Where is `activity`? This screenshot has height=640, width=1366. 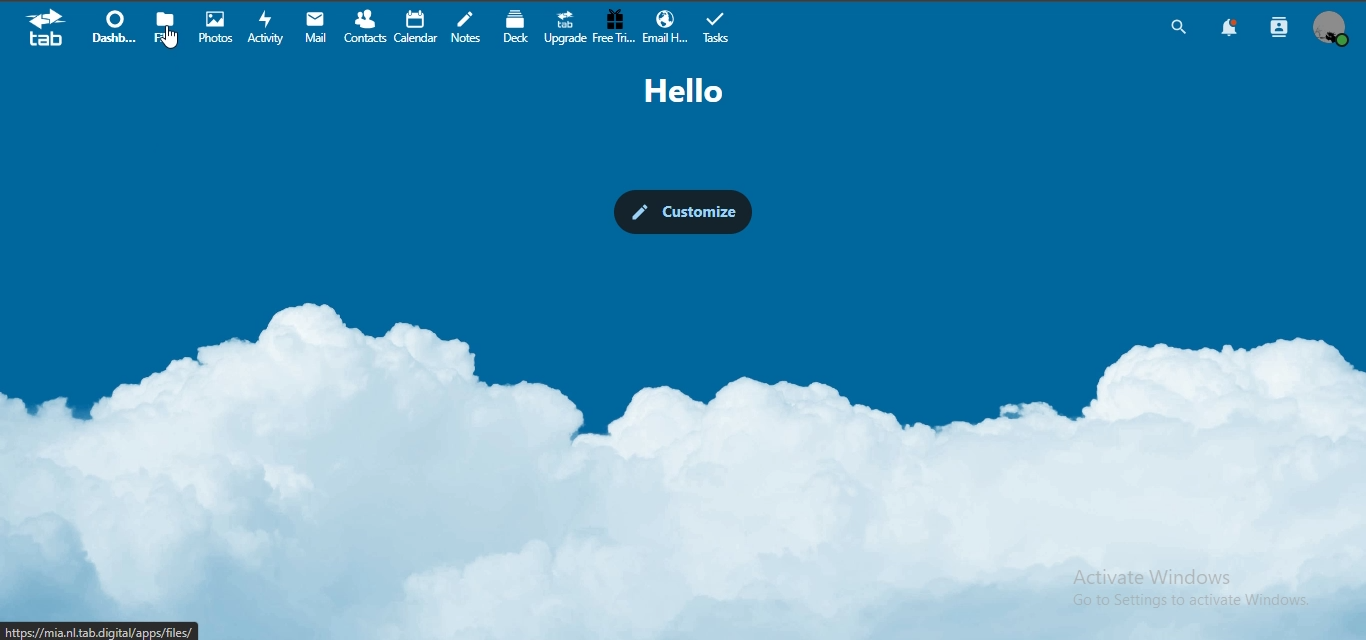 activity is located at coordinates (270, 27).